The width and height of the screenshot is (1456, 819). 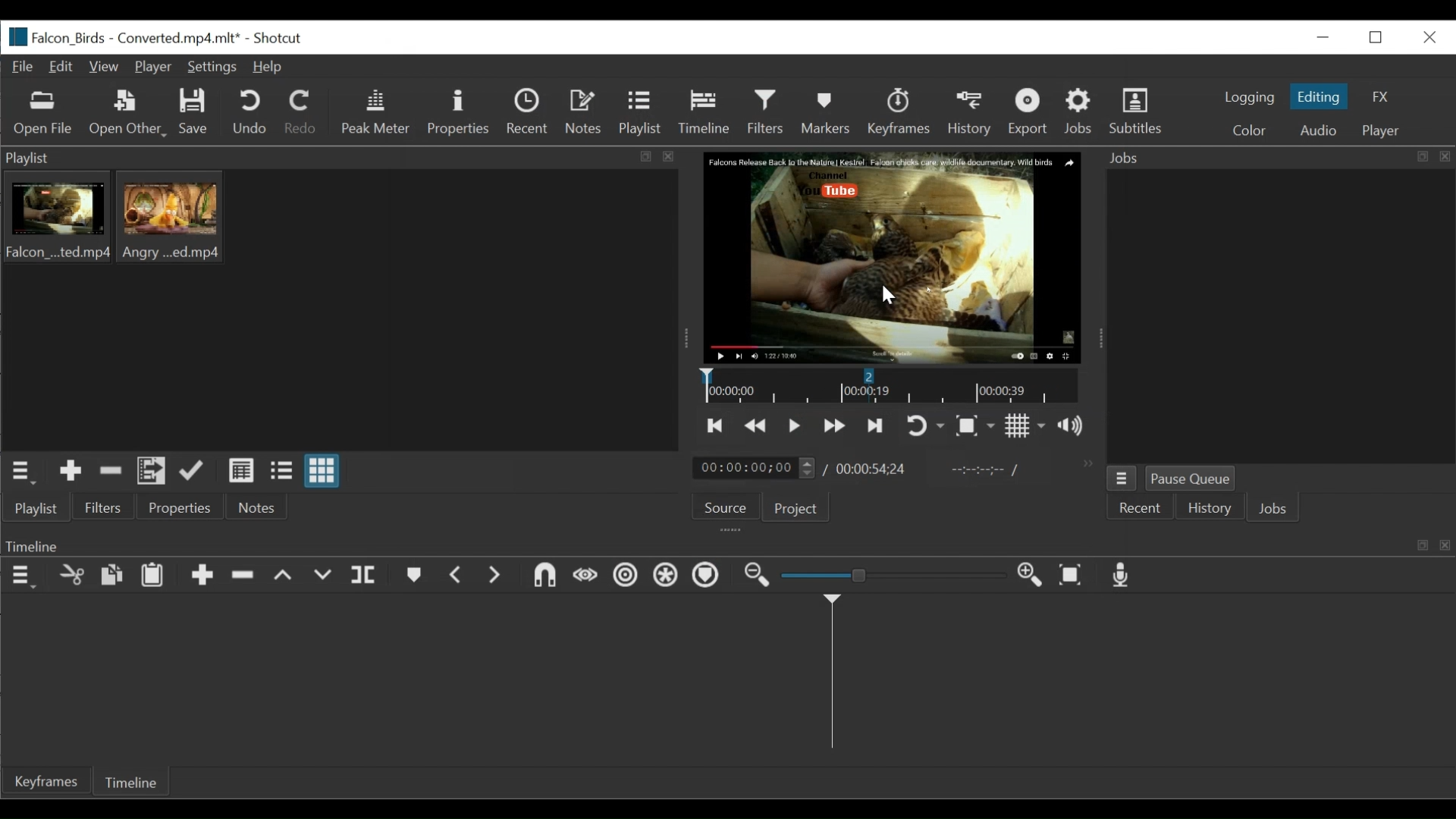 I want to click on Save, so click(x=192, y=114).